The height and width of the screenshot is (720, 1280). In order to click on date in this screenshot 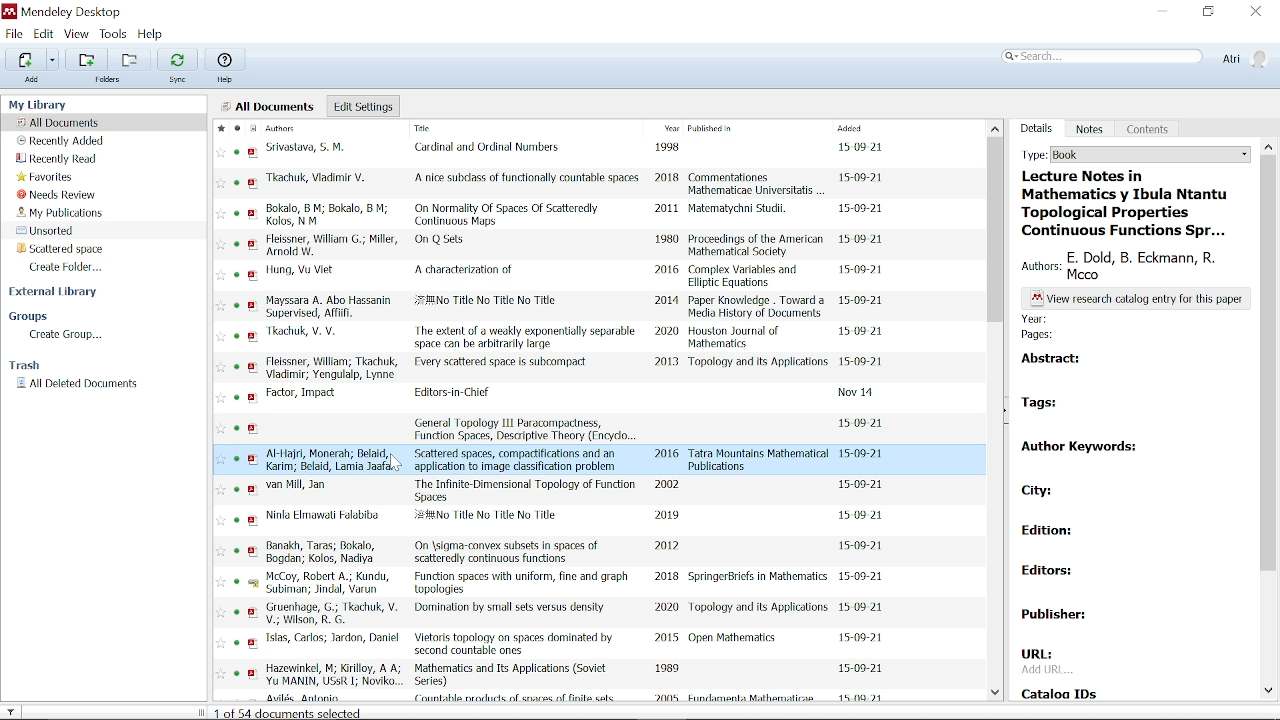, I will do `click(862, 485)`.